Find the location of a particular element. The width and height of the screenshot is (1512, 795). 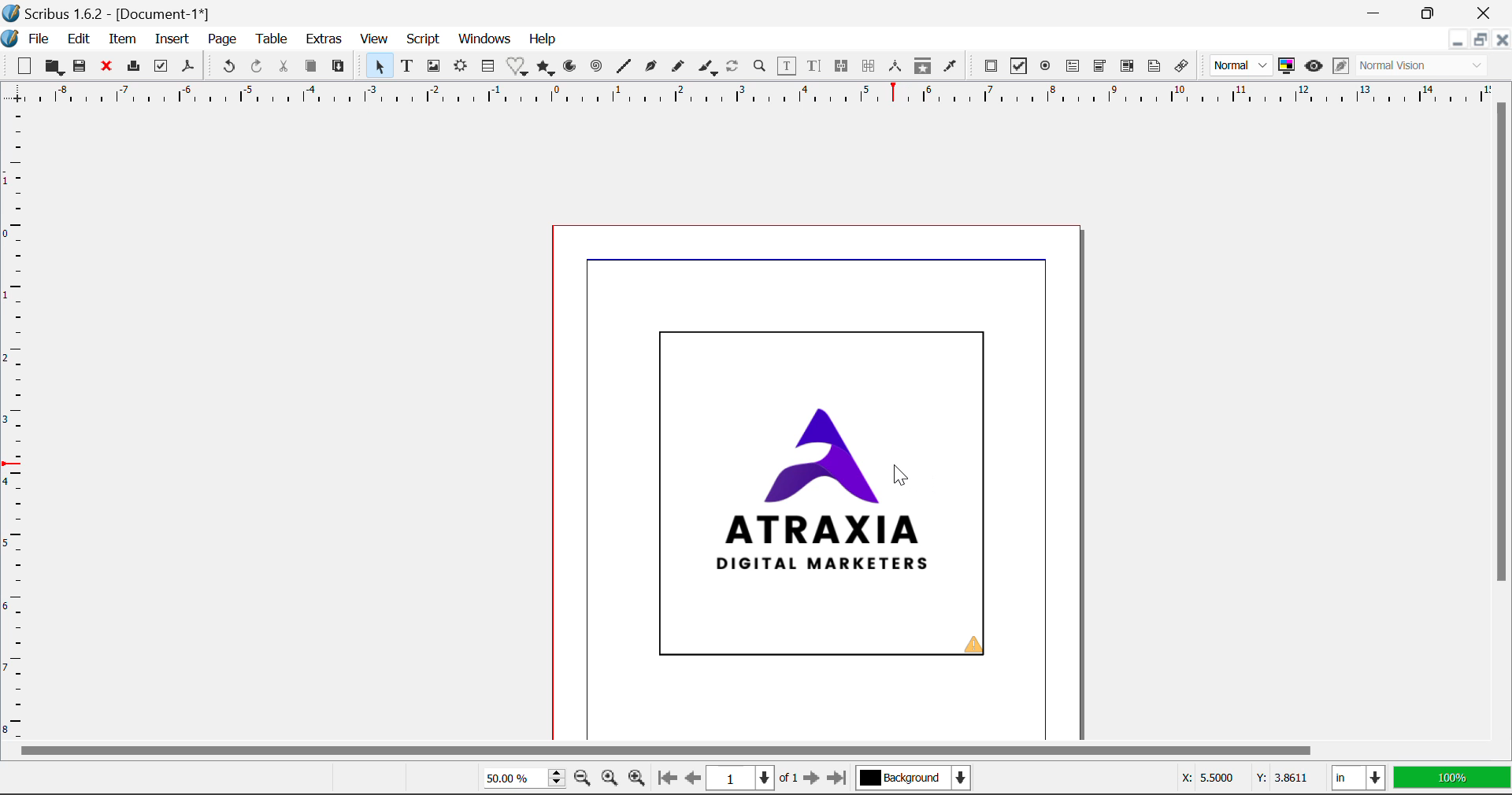

Horizontal Page Margins is located at coordinates (19, 429).